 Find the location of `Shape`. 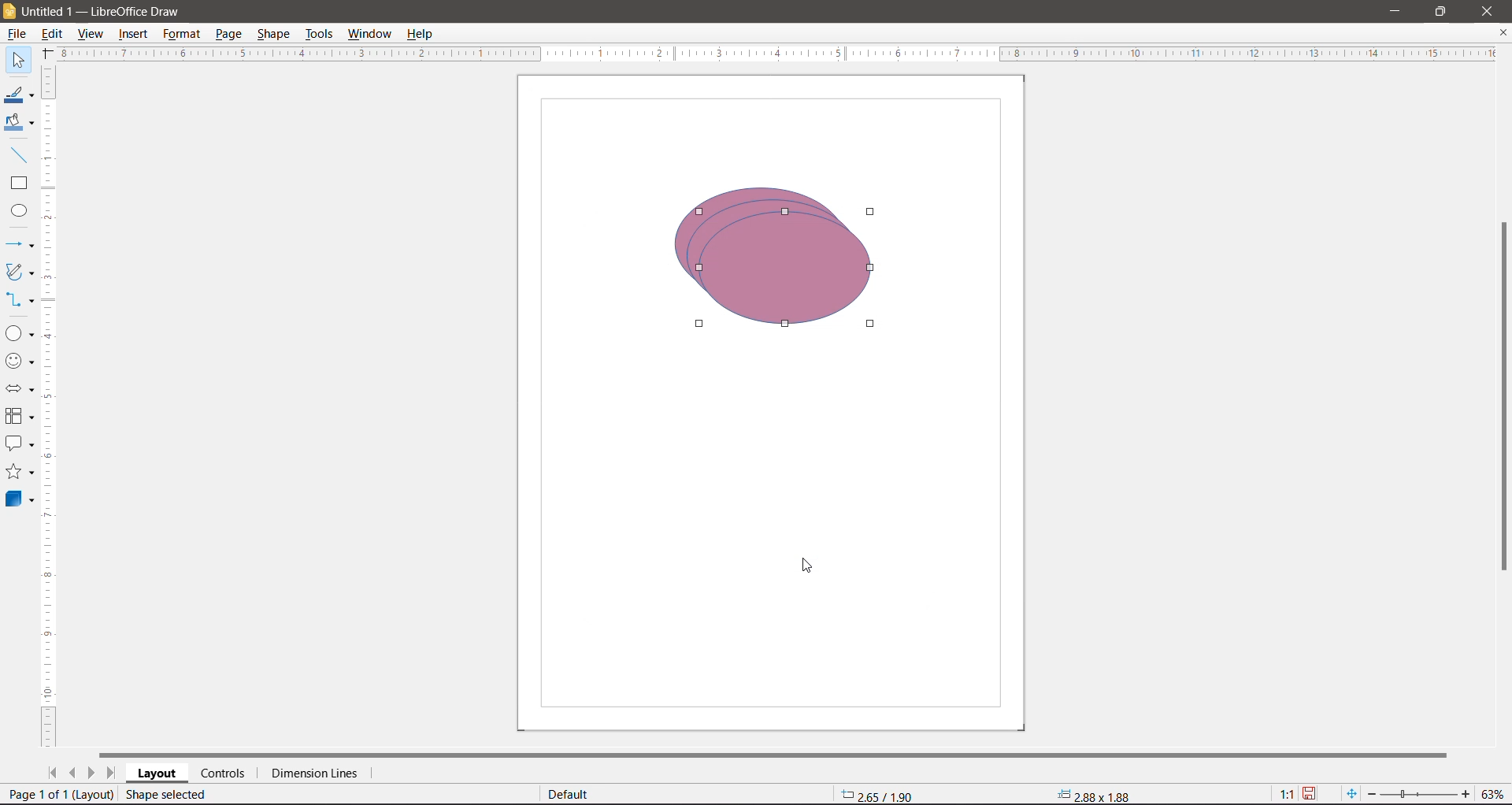

Shape is located at coordinates (272, 35).